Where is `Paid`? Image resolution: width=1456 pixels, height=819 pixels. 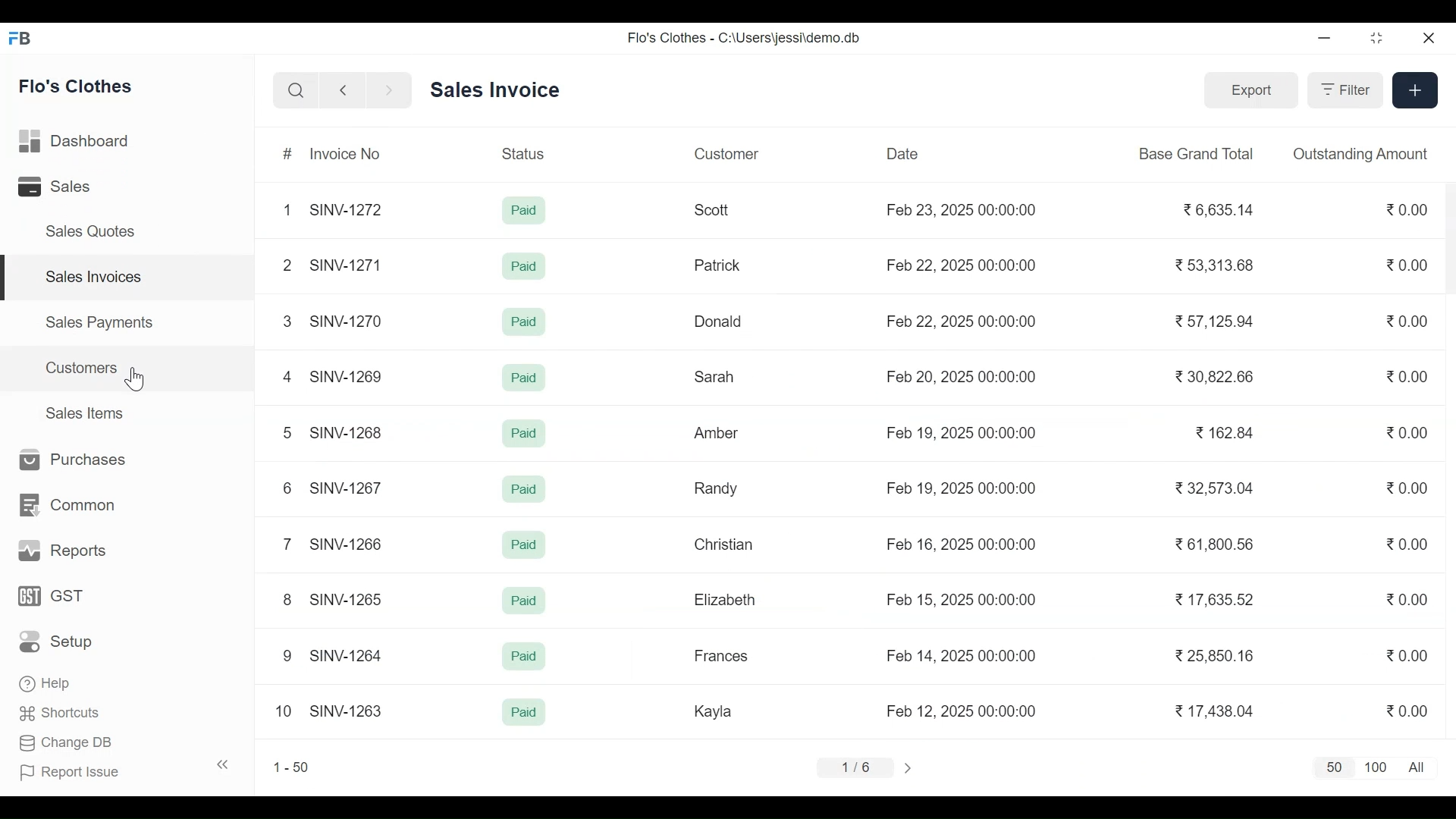 Paid is located at coordinates (524, 601).